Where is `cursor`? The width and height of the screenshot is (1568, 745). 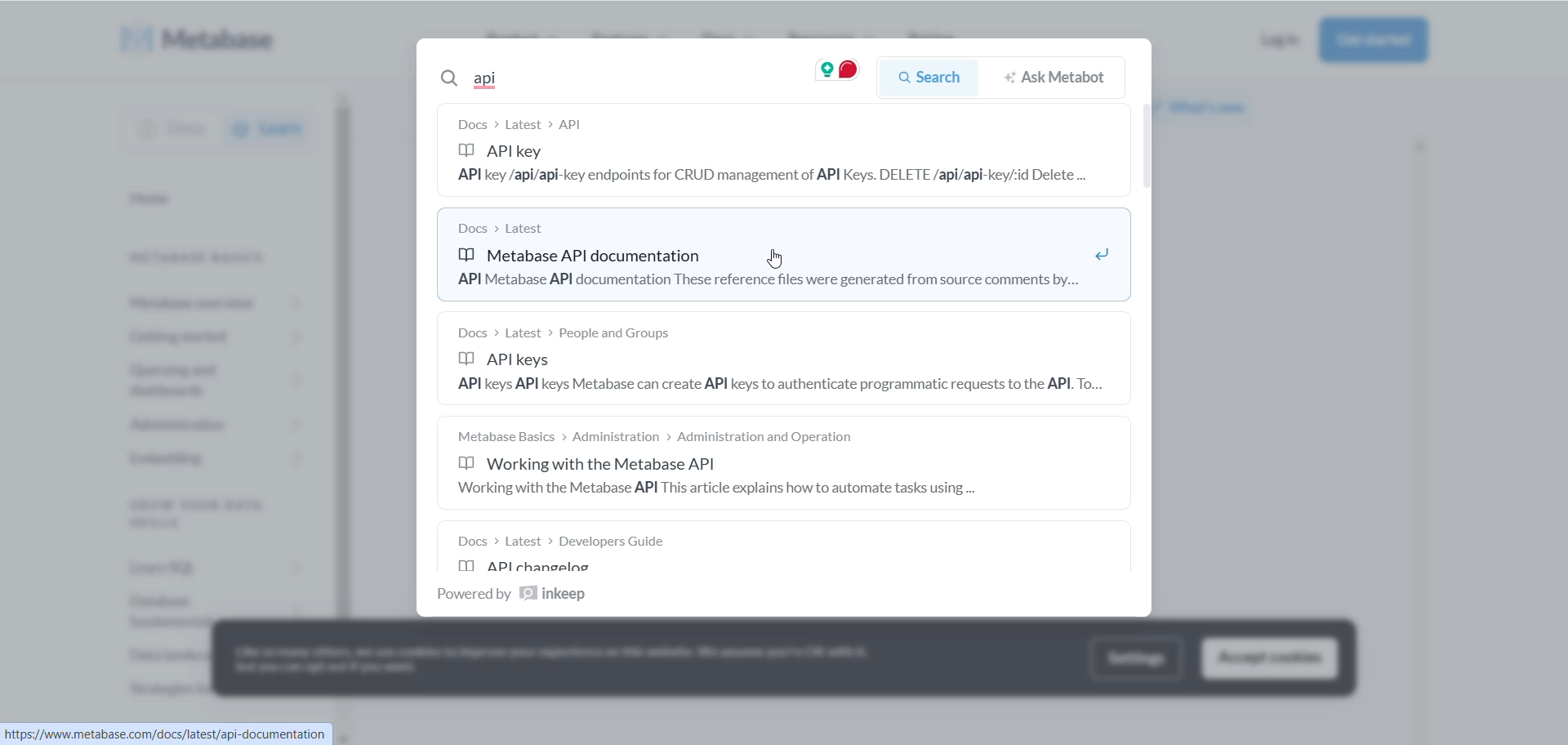 cursor is located at coordinates (776, 257).